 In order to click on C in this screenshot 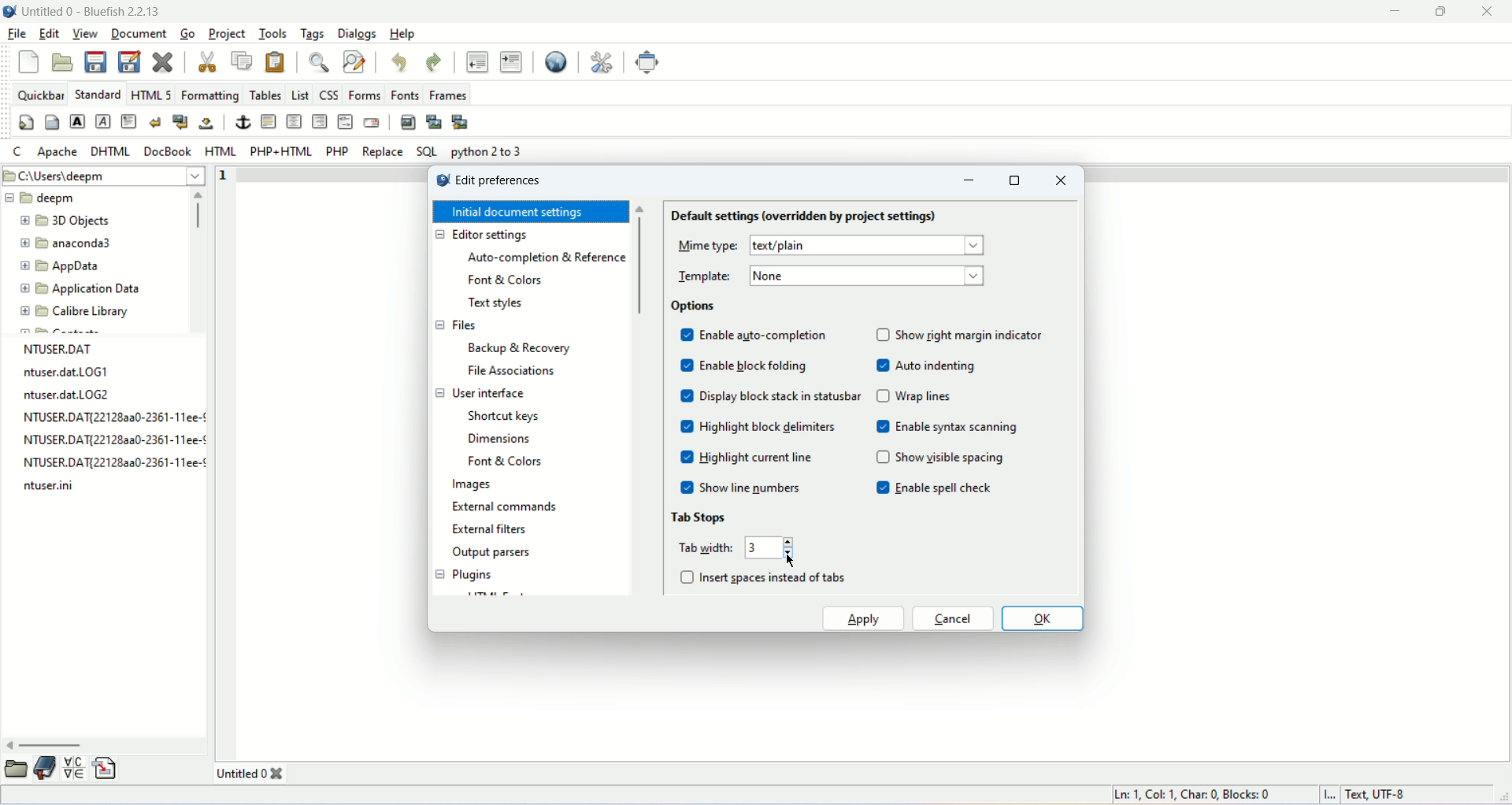, I will do `click(17, 152)`.